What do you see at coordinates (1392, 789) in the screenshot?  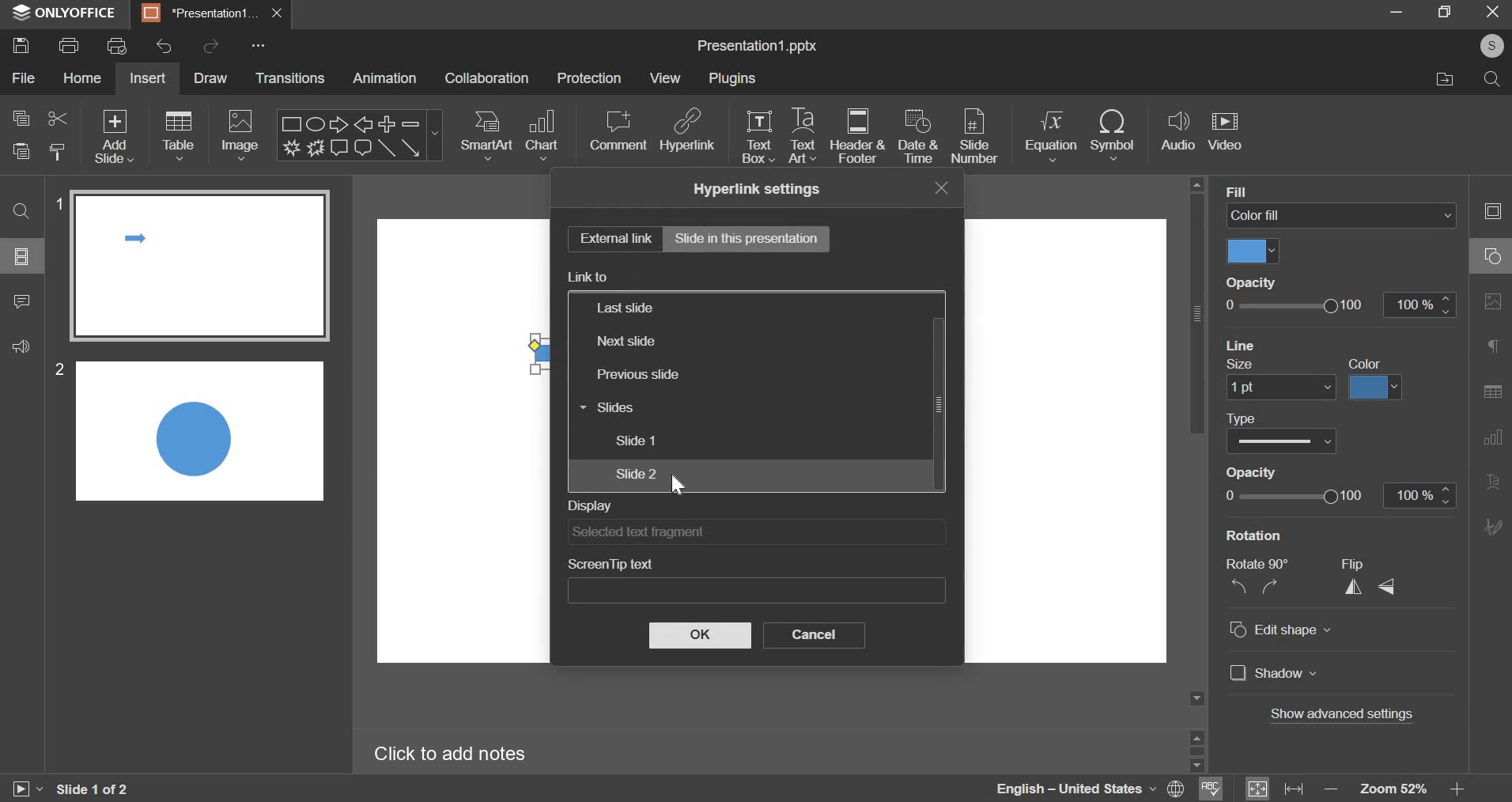 I see `zoom 52%` at bounding box center [1392, 789].